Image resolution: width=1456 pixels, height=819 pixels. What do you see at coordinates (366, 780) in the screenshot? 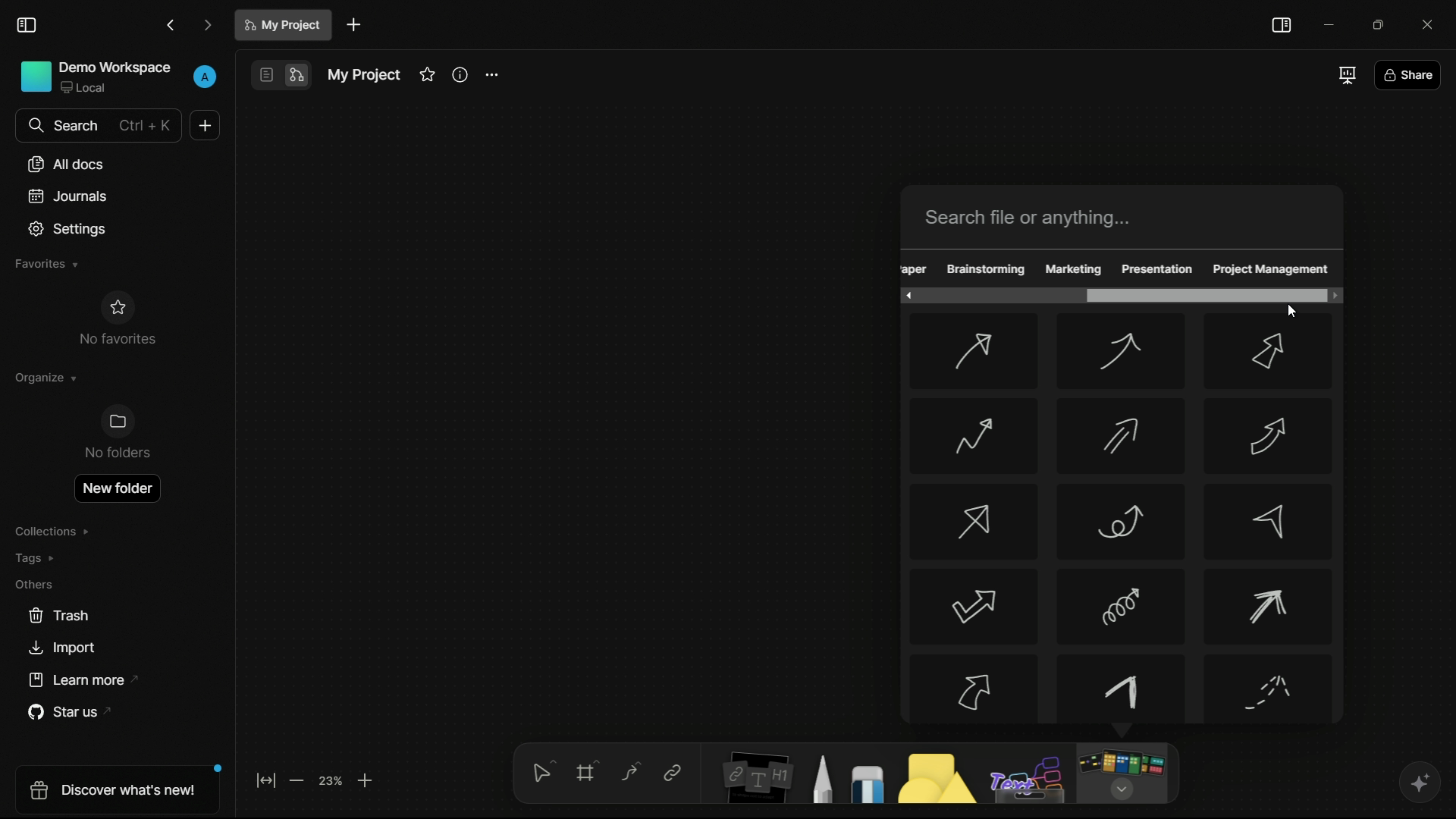
I see `zoom in` at bounding box center [366, 780].